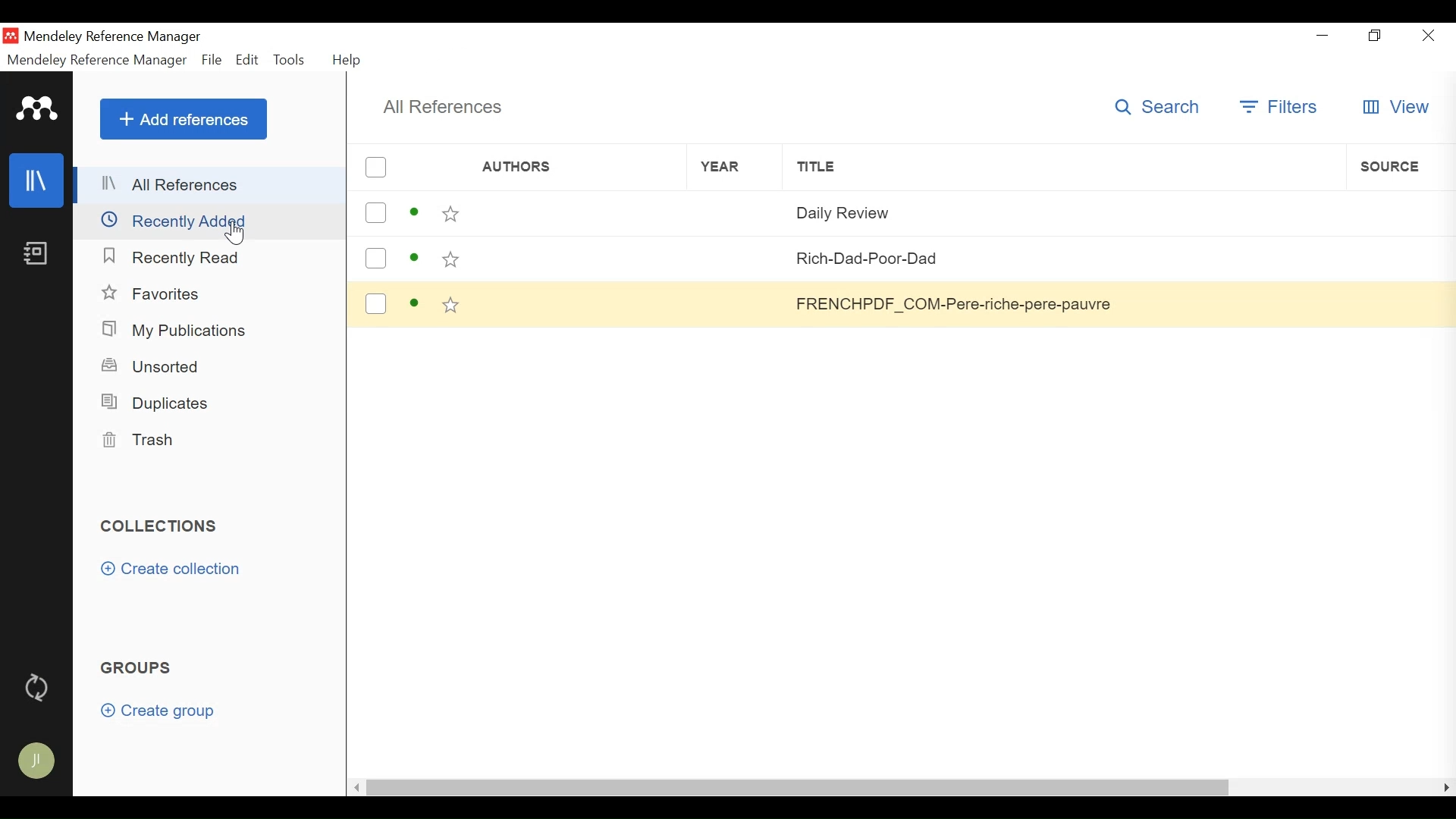 The width and height of the screenshot is (1456, 819). I want to click on (un)select , so click(376, 259).